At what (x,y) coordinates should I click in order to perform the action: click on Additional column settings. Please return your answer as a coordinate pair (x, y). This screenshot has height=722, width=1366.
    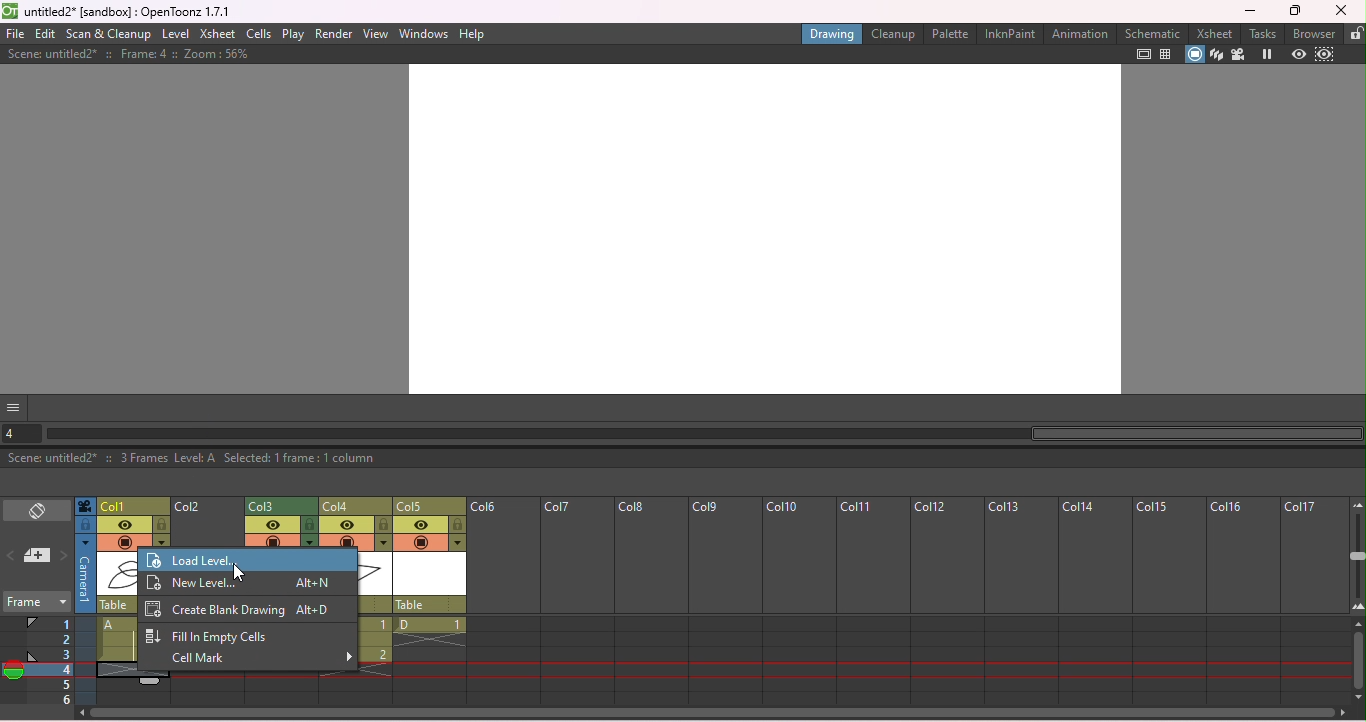
    Looking at the image, I should click on (309, 543).